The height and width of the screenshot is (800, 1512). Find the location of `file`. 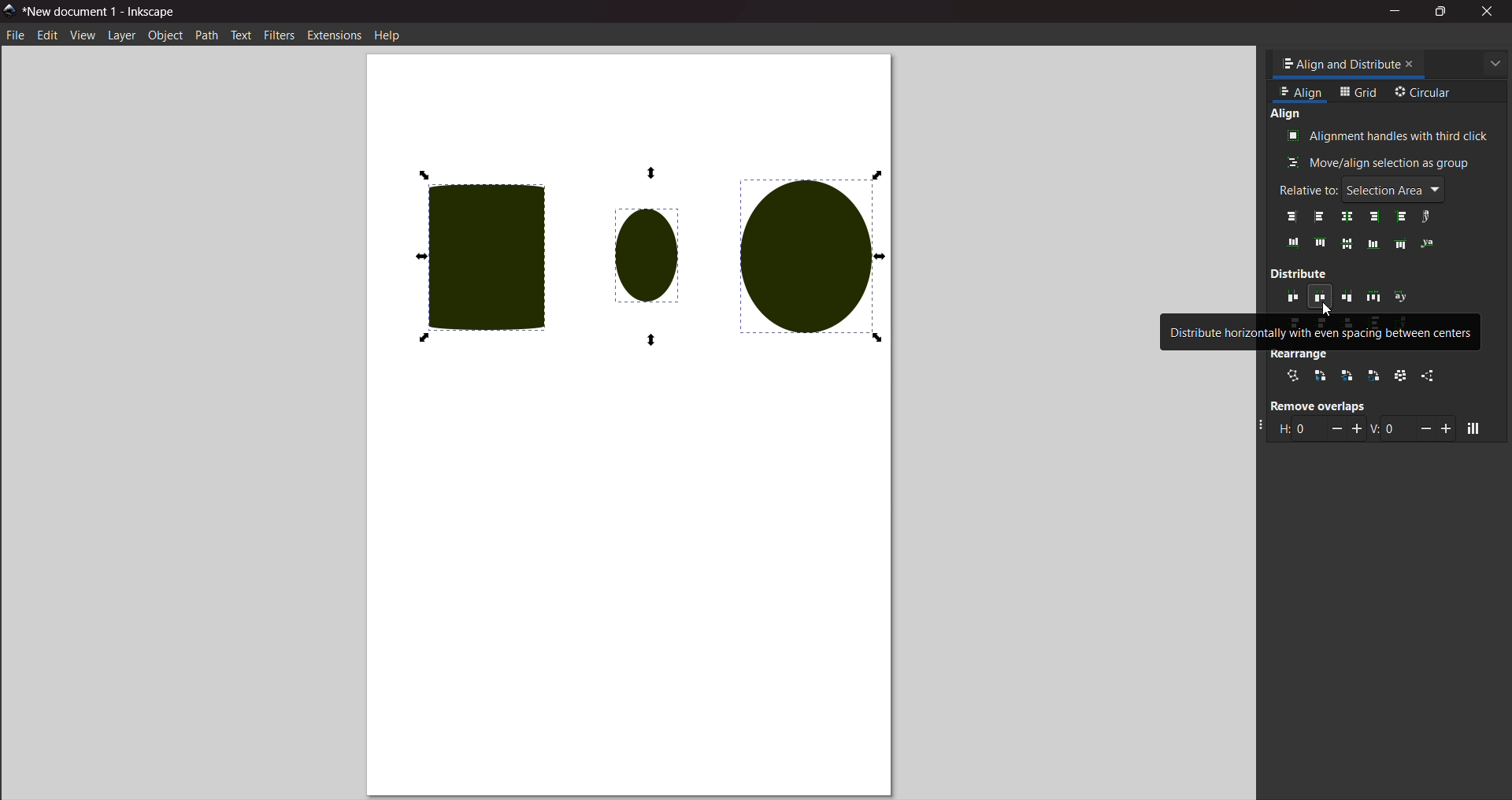

file is located at coordinates (17, 36).